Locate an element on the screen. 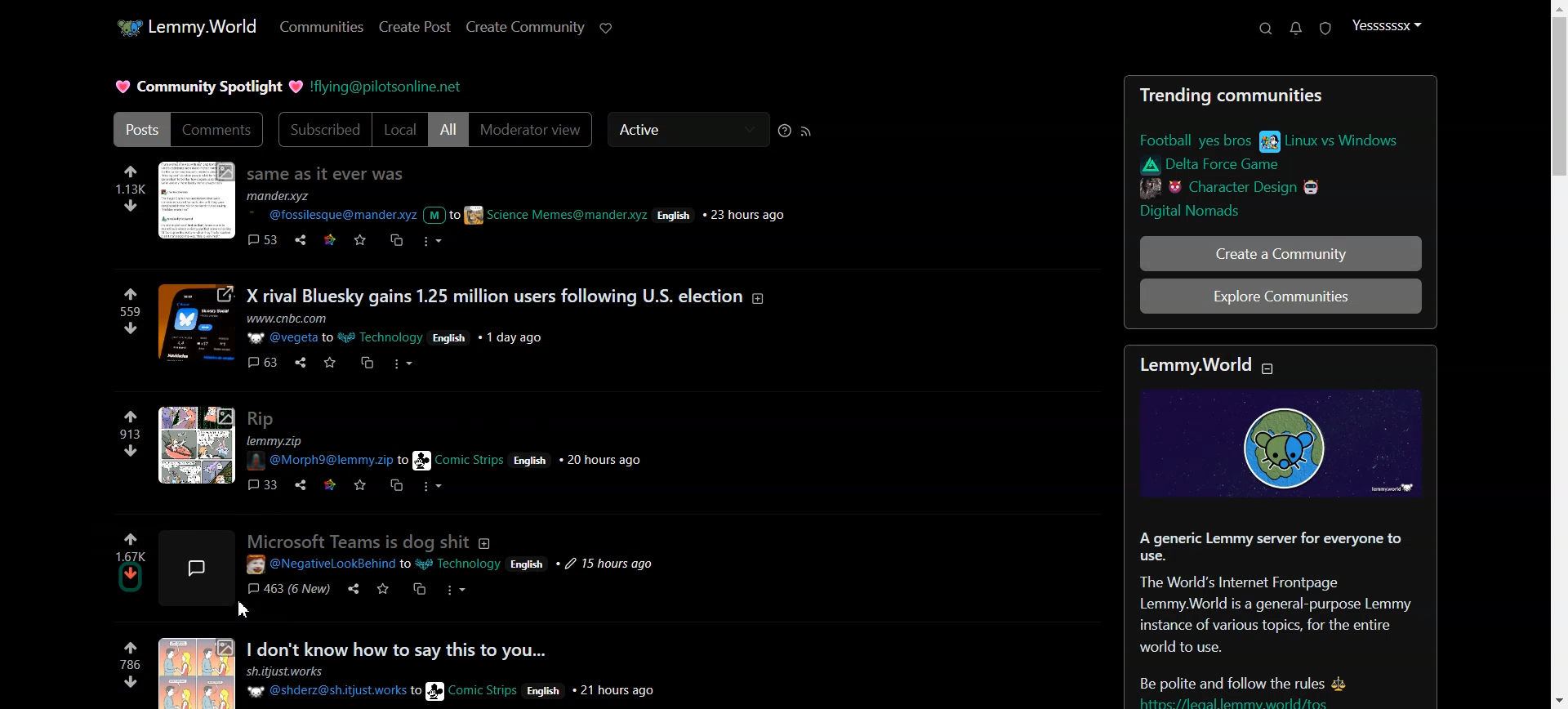 The height and width of the screenshot is (709, 1568). Local is located at coordinates (401, 130).